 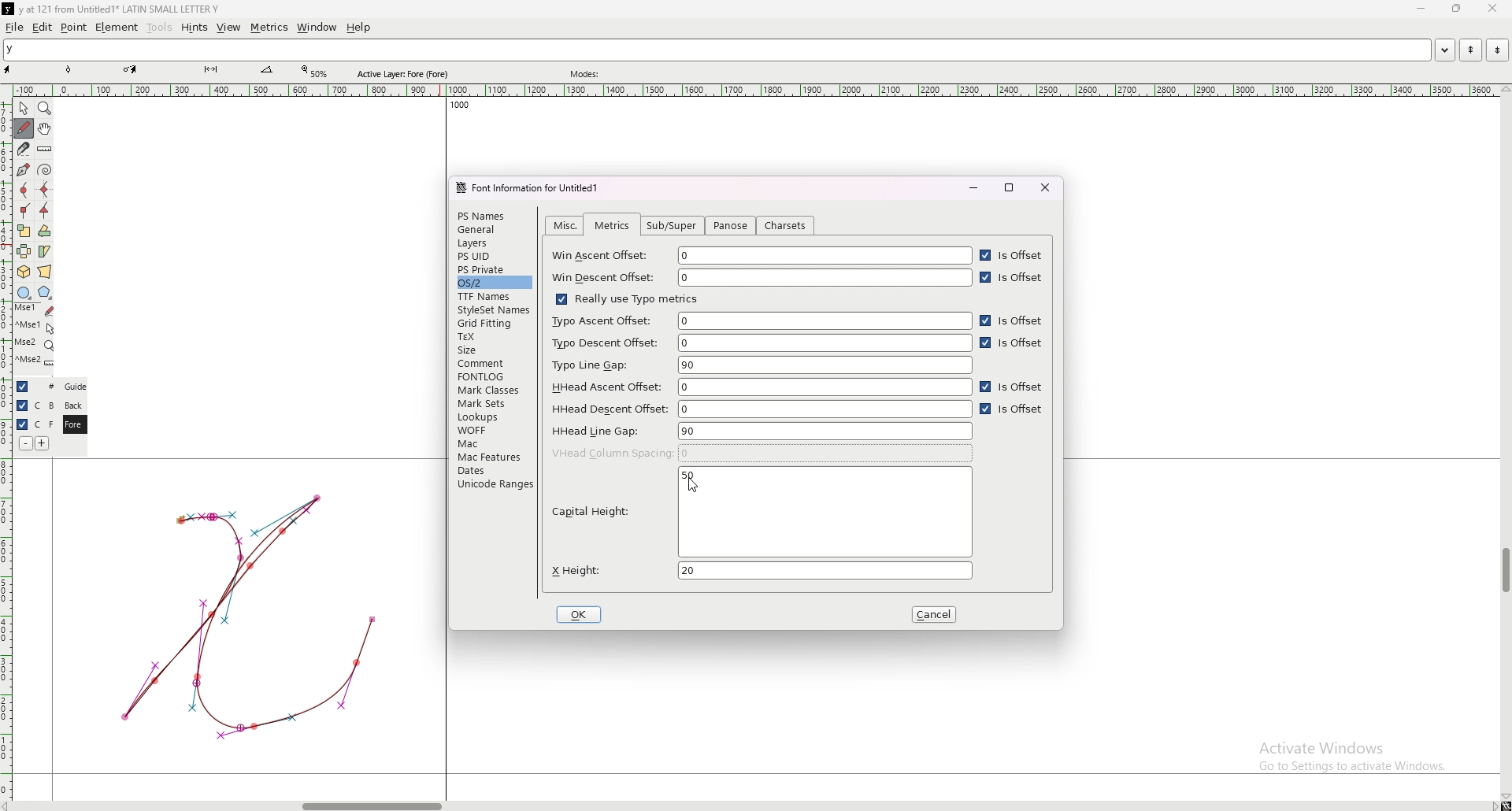 I want to click on magnify, so click(x=45, y=108).